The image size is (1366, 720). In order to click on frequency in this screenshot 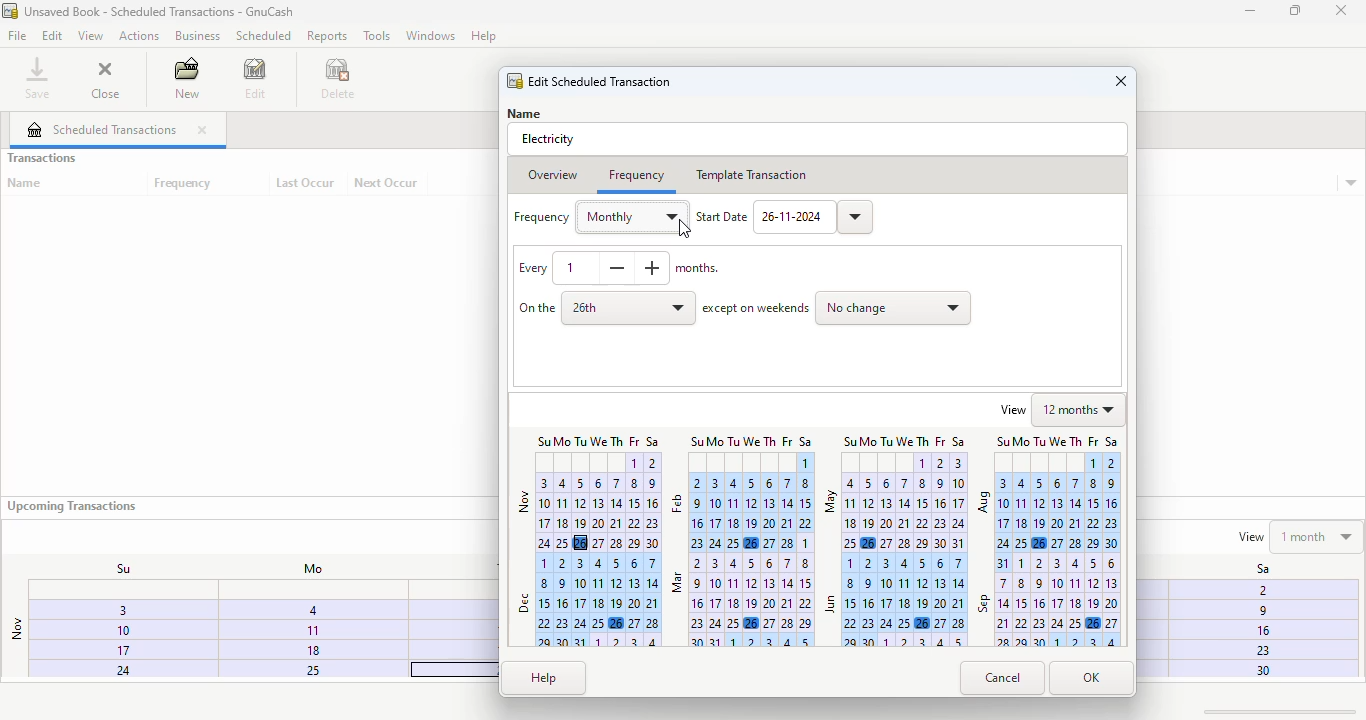, I will do `click(542, 217)`.